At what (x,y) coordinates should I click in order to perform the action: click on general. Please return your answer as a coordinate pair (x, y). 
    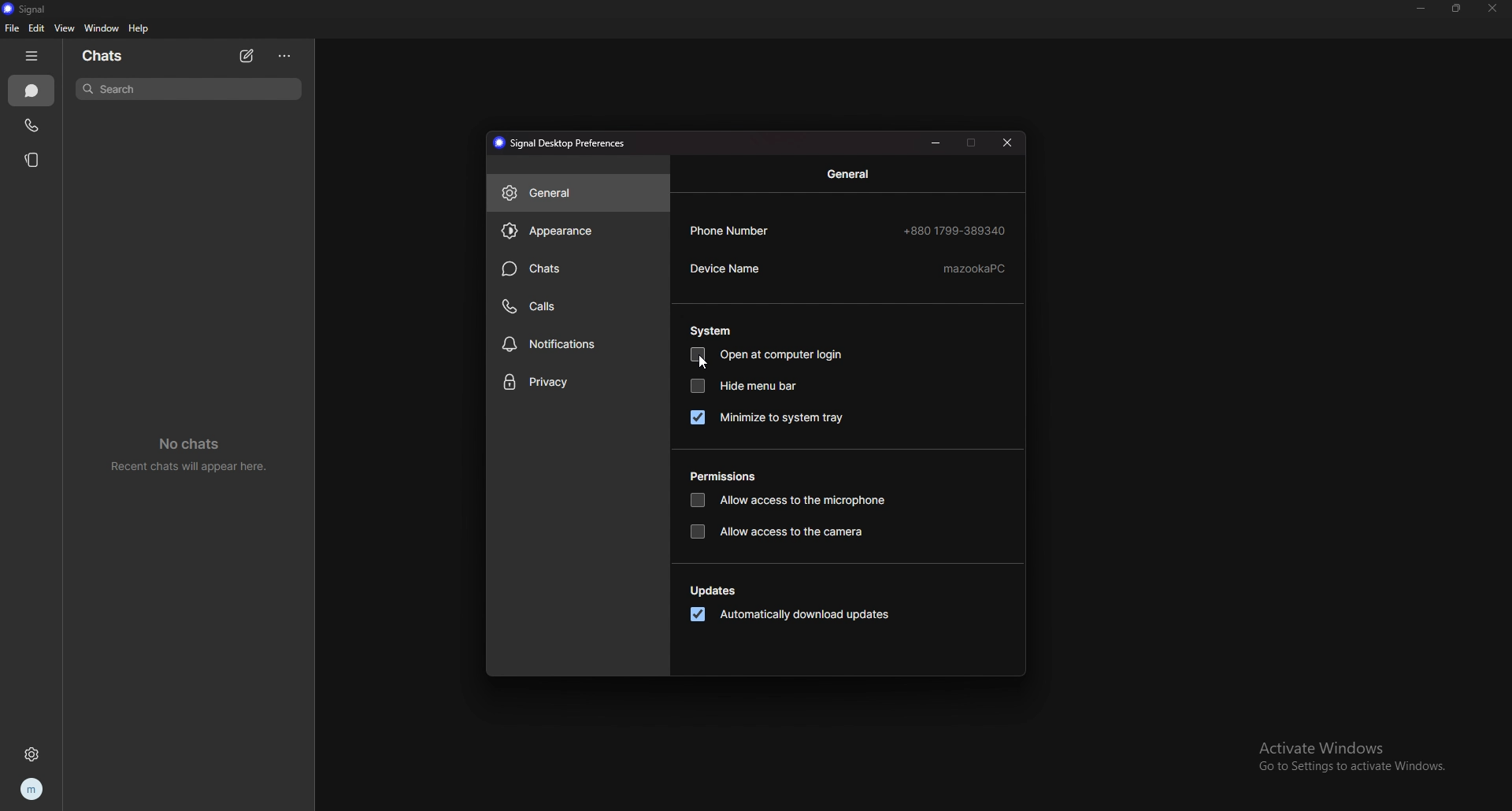
    Looking at the image, I should click on (578, 192).